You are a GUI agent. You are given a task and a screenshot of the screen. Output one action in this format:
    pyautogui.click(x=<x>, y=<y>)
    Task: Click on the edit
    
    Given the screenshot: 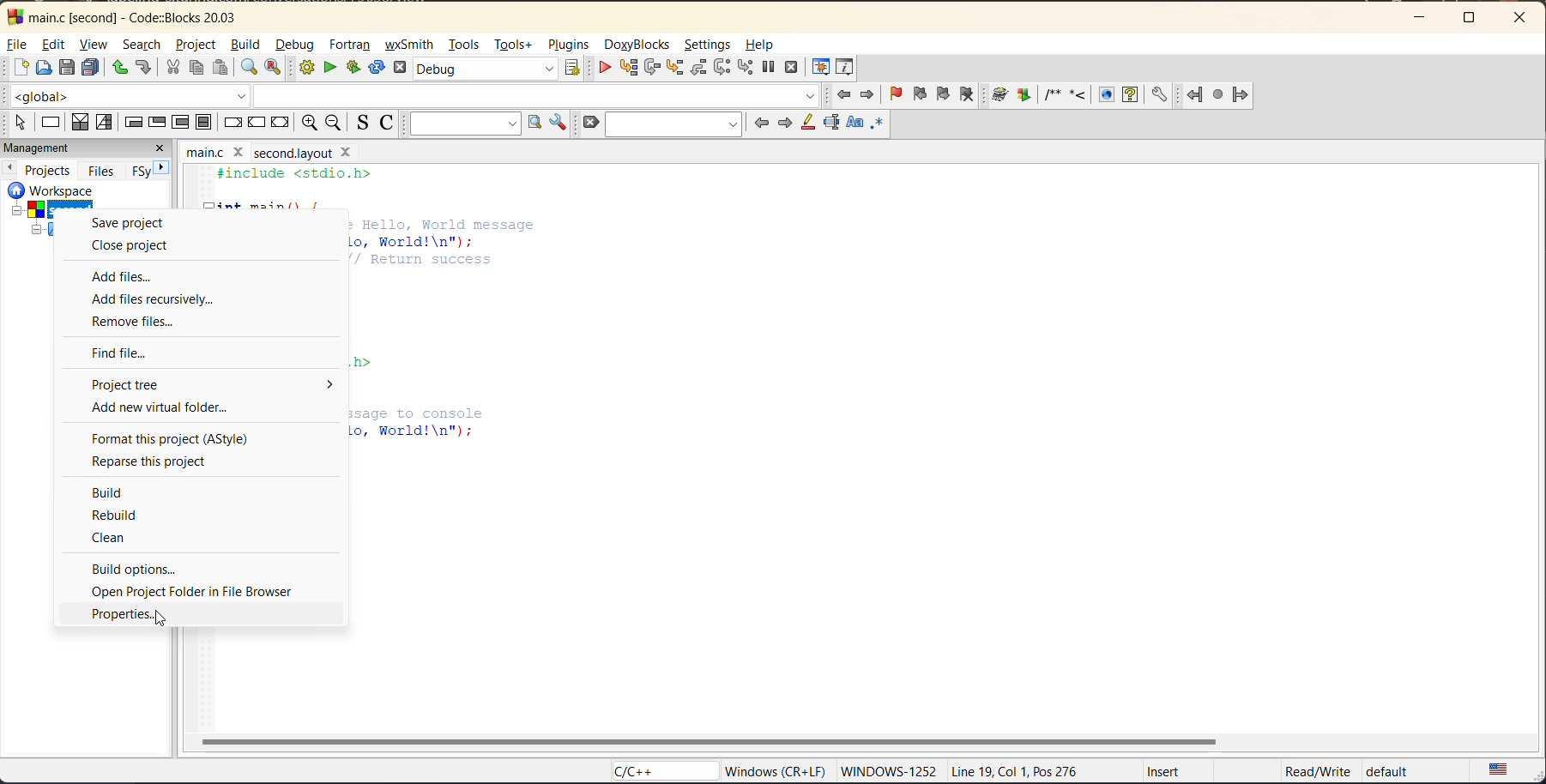 What is the action you would take?
    pyautogui.click(x=52, y=45)
    